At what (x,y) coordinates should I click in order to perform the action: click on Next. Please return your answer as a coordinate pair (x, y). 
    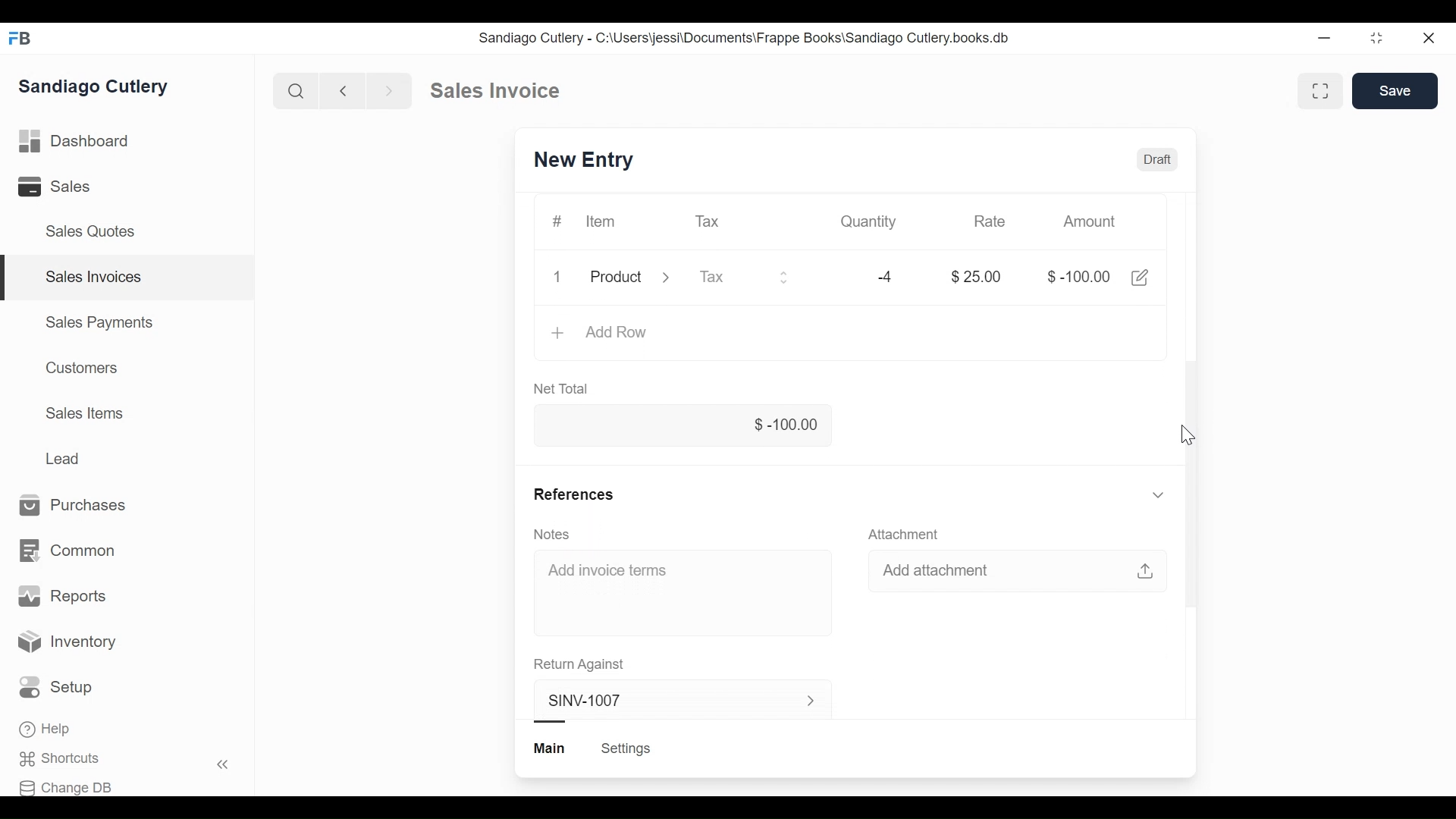
    Looking at the image, I should click on (391, 90).